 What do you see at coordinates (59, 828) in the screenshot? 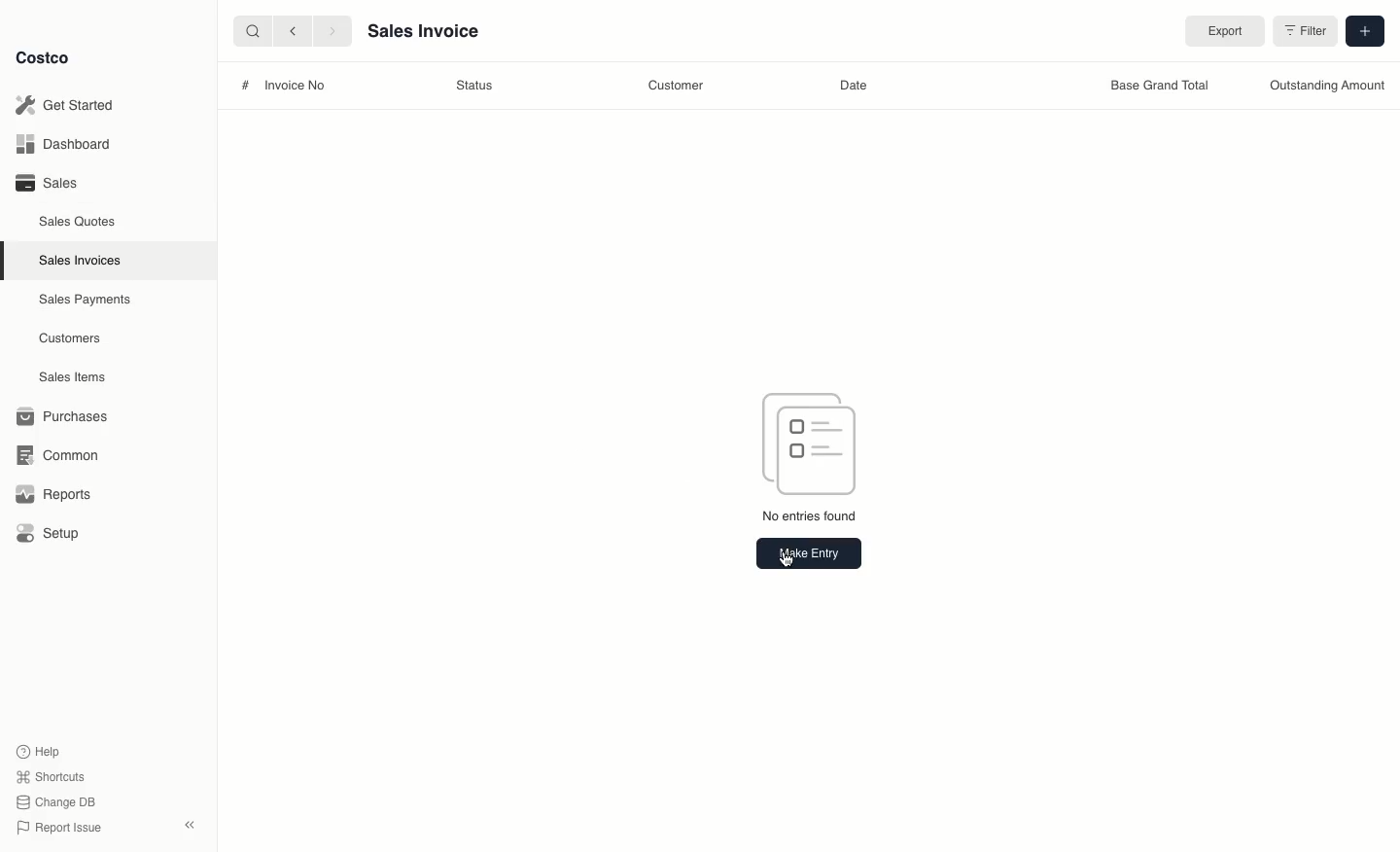
I see `Report Issue` at bounding box center [59, 828].